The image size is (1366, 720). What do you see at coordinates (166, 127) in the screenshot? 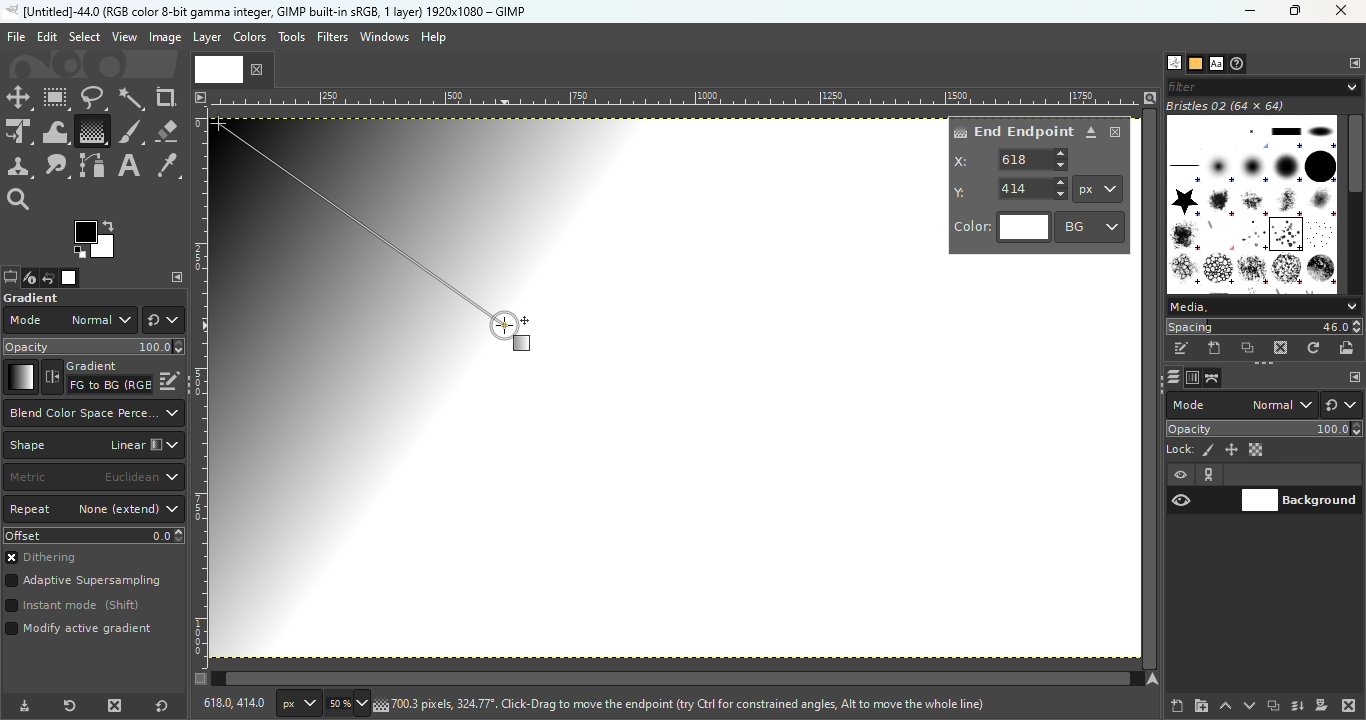
I see `Eraser tool` at bounding box center [166, 127].